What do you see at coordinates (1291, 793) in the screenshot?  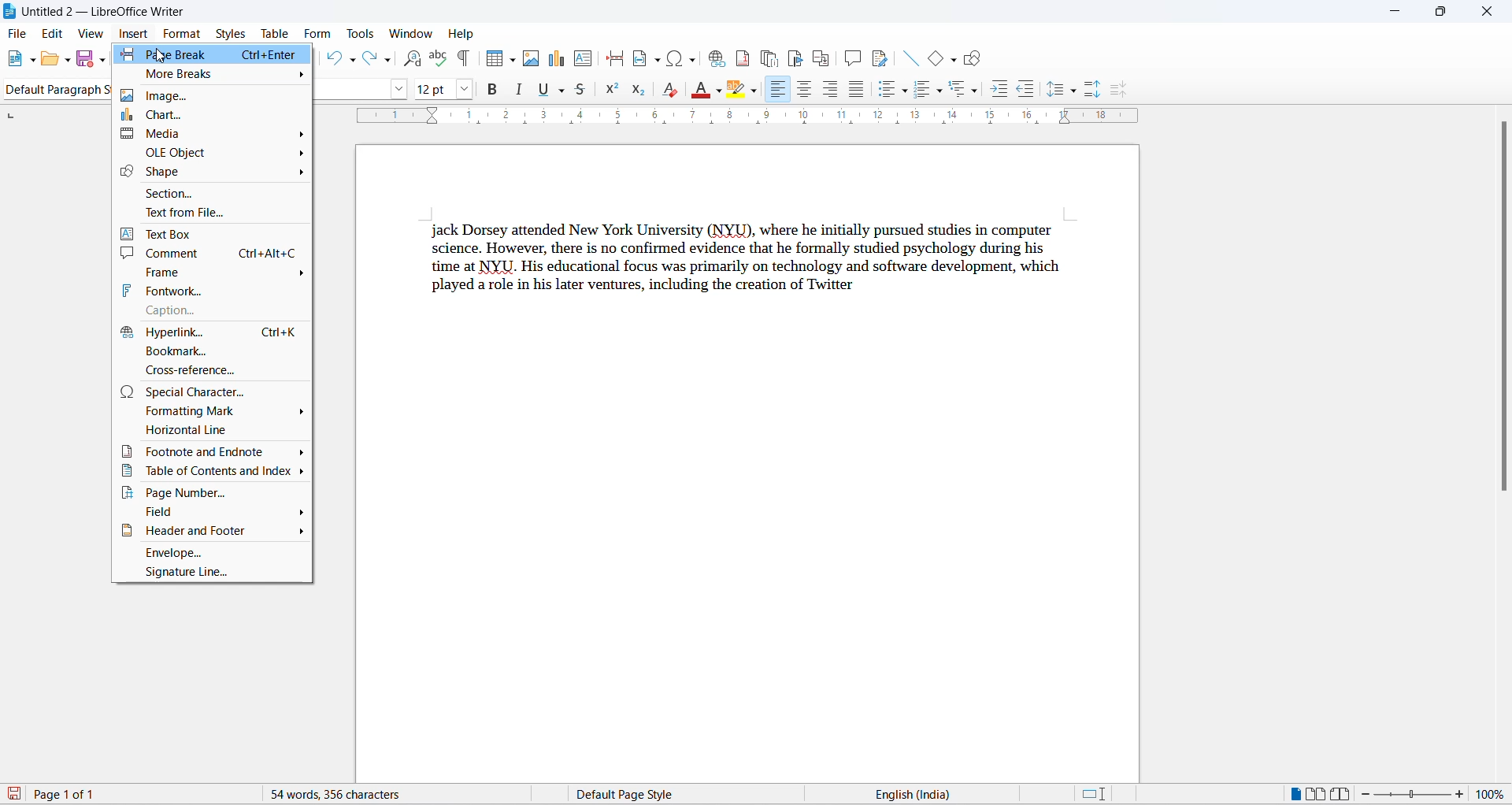 I see `single page view` at bounding box center [1291, 793].